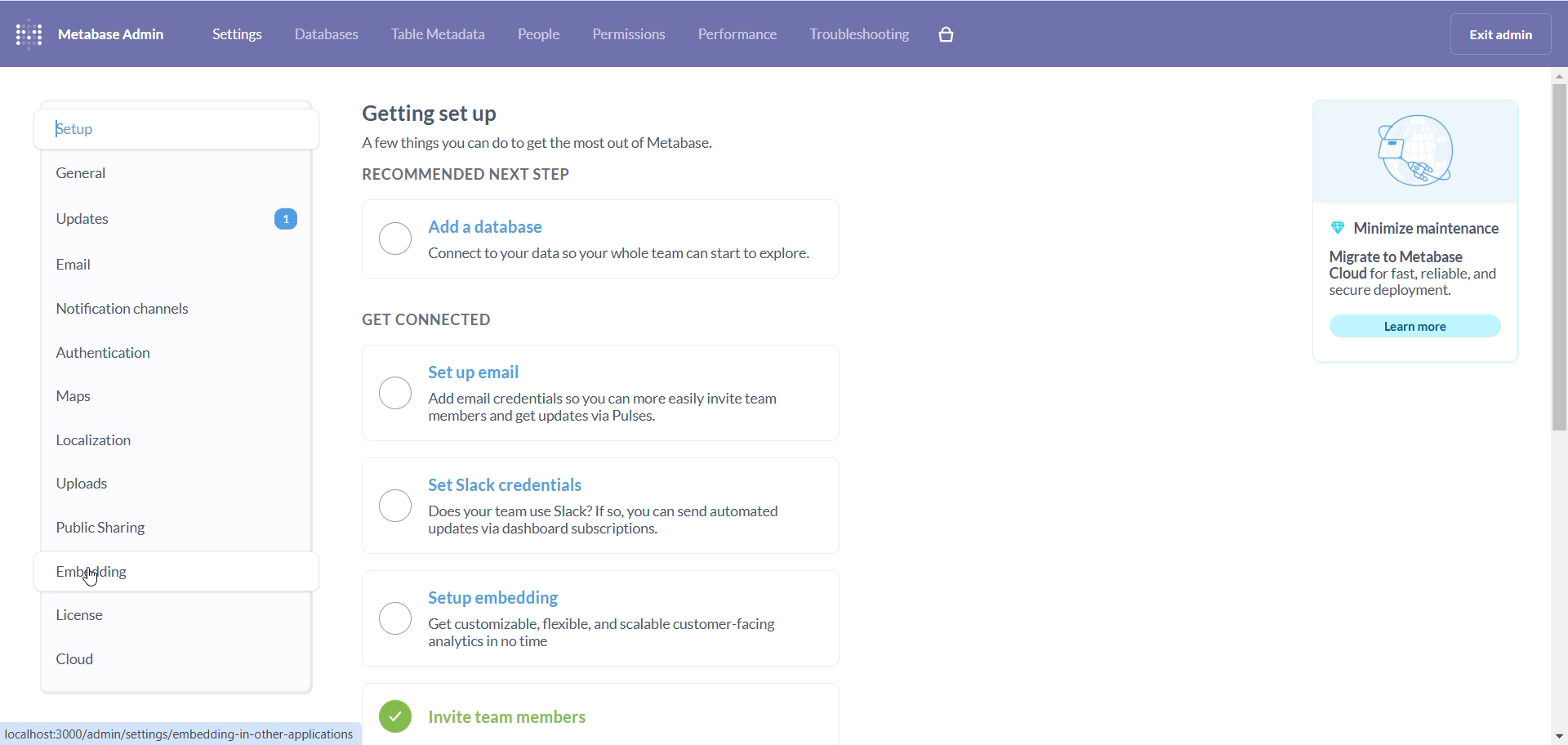 This screenshot has width=1568, height=745. Describe the element at coordinates (1417, 153) in the screenshot. I see `logo` at that location.